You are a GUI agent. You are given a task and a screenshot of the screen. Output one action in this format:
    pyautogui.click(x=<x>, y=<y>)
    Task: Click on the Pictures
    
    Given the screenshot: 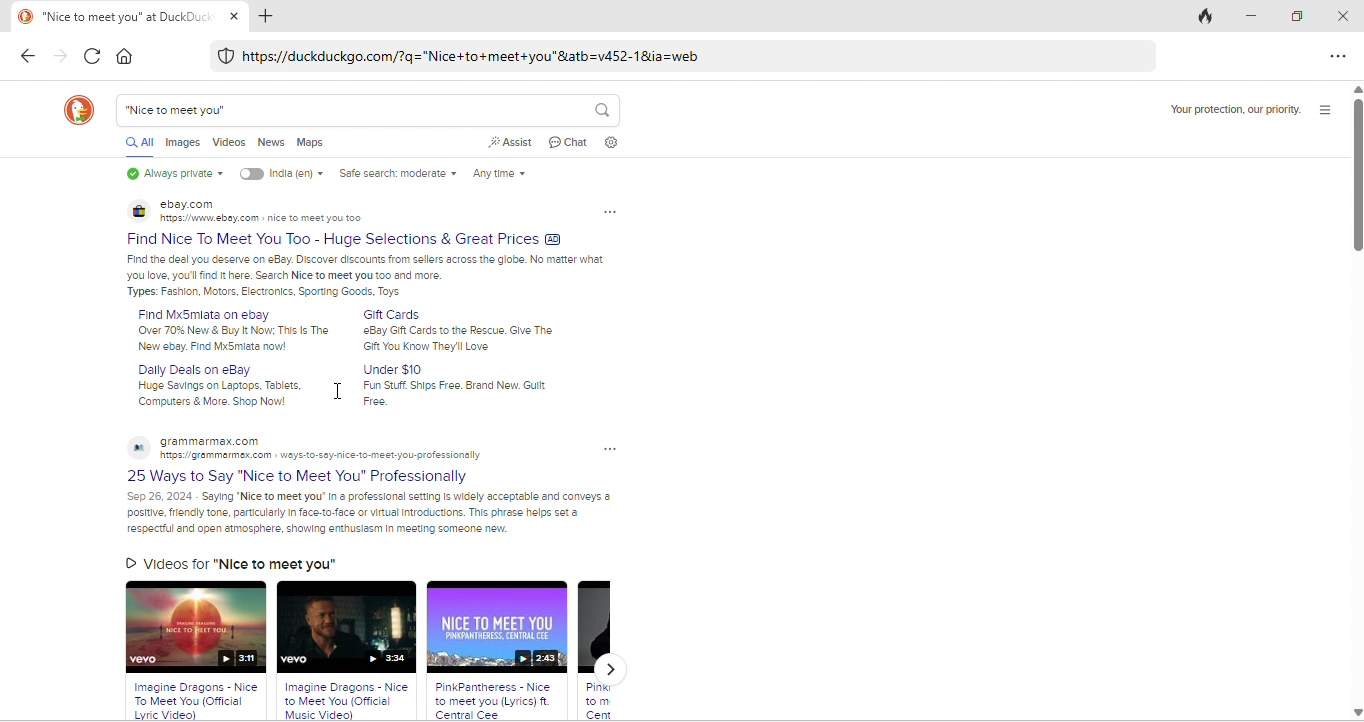 What is the action you would take?
    pyautogui.click(x=138, y=449)
    